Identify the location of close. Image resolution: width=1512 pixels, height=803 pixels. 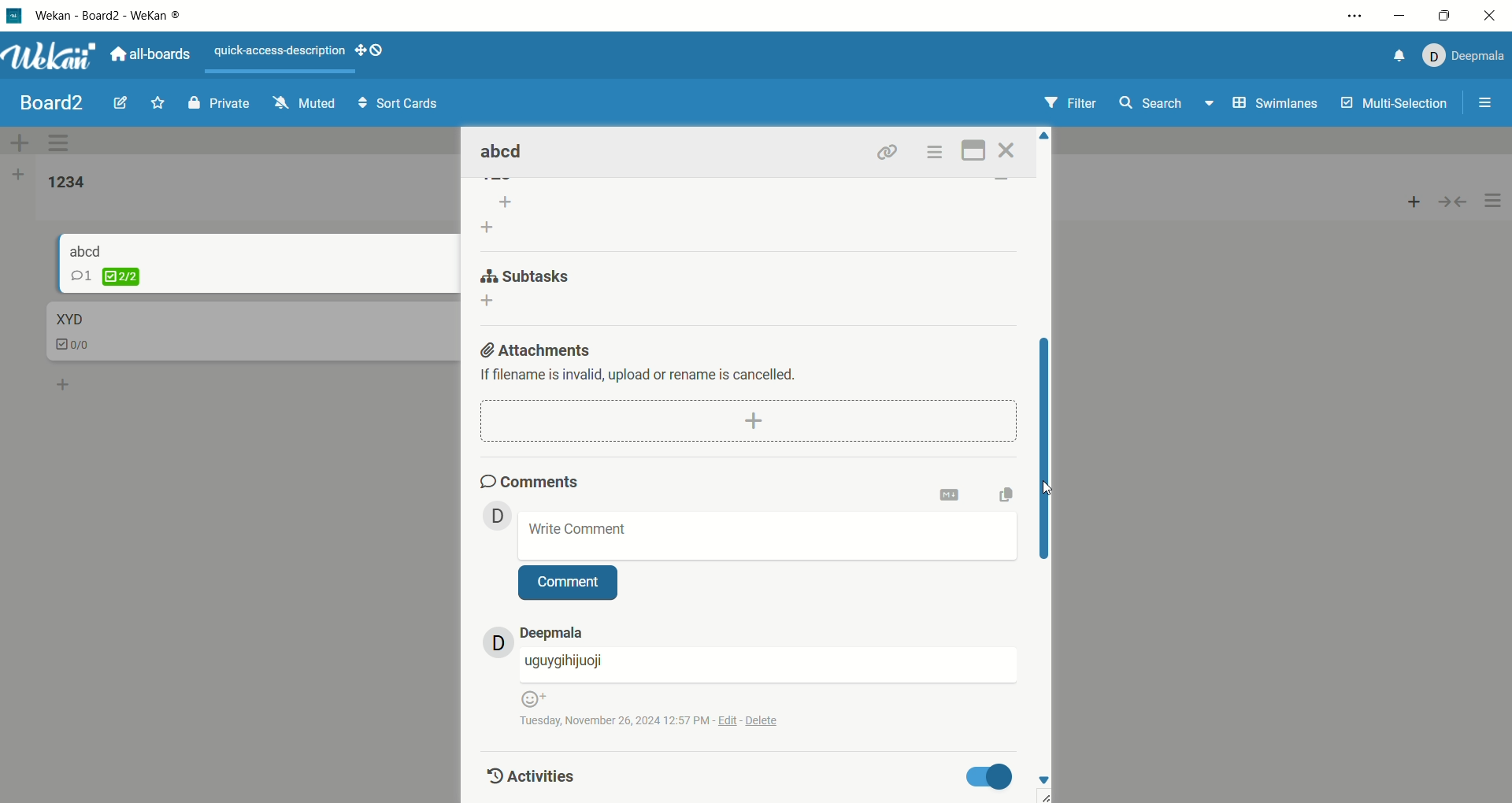
(1488, 18).